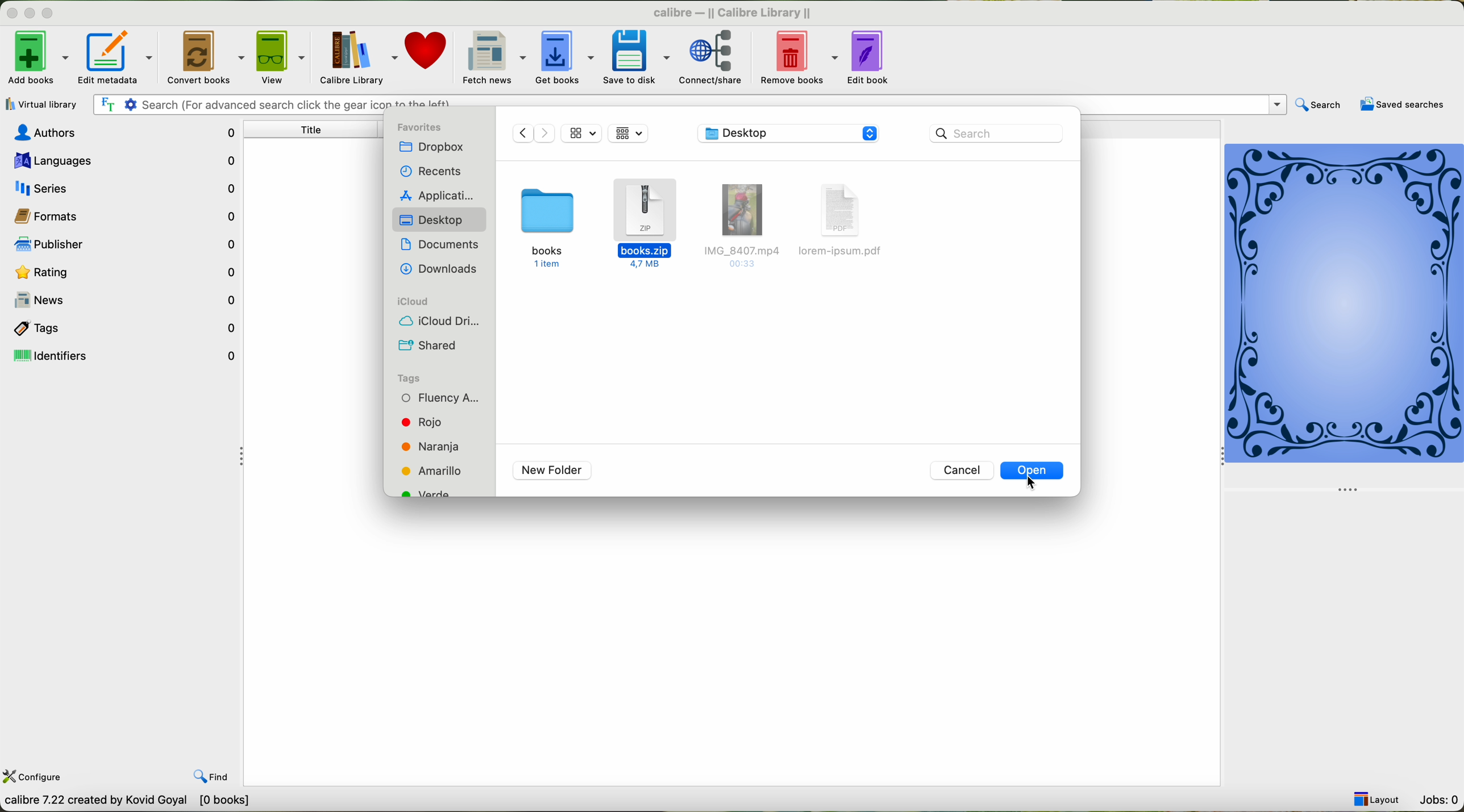 Image resolution: width=1464 pixels, height=812 pixels. Describe the element at coordinates (121, 160) in the screenshot. I see `languages` at that location.